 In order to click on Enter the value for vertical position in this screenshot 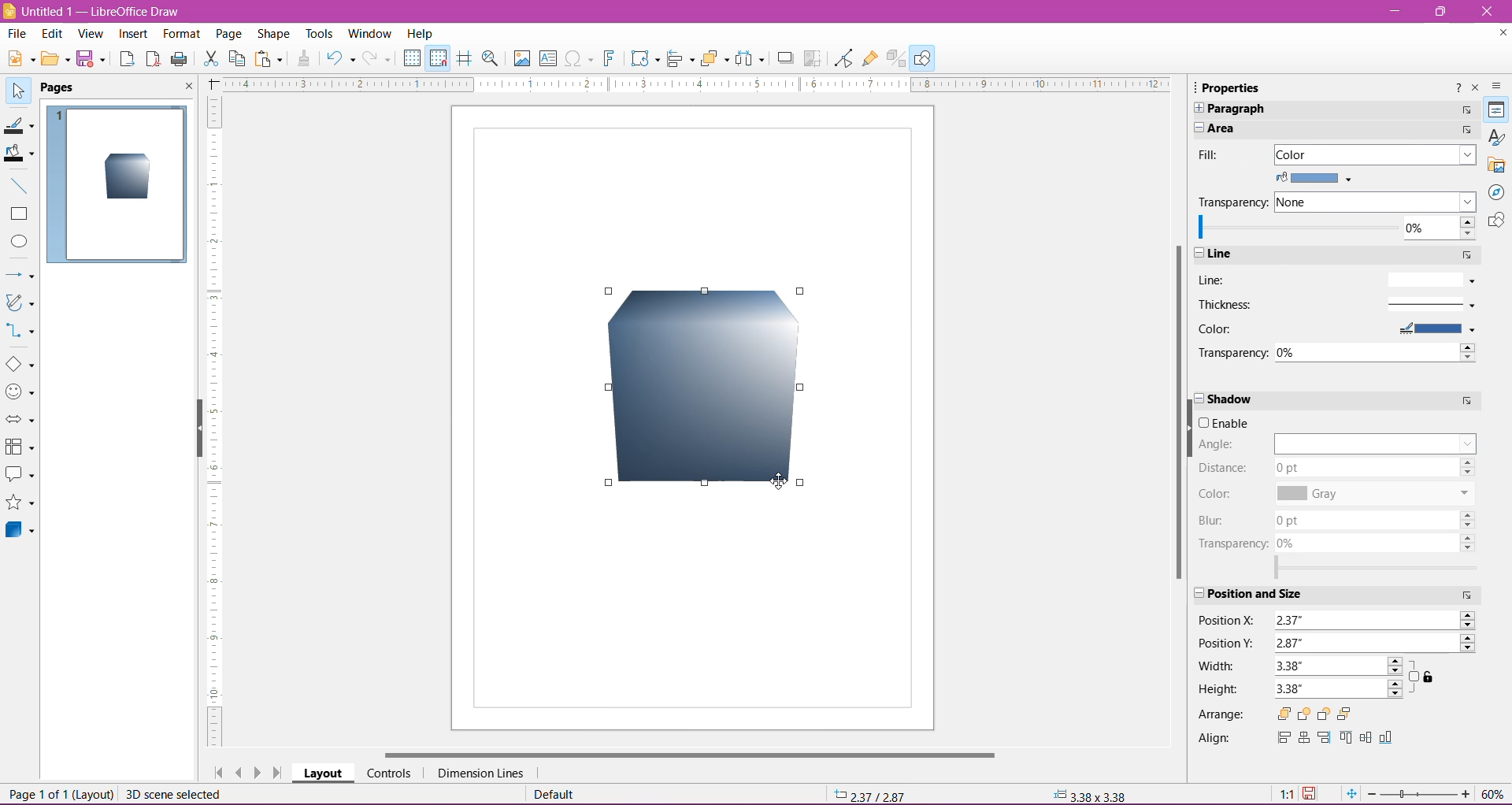, I will do `click(1374, 641)`.